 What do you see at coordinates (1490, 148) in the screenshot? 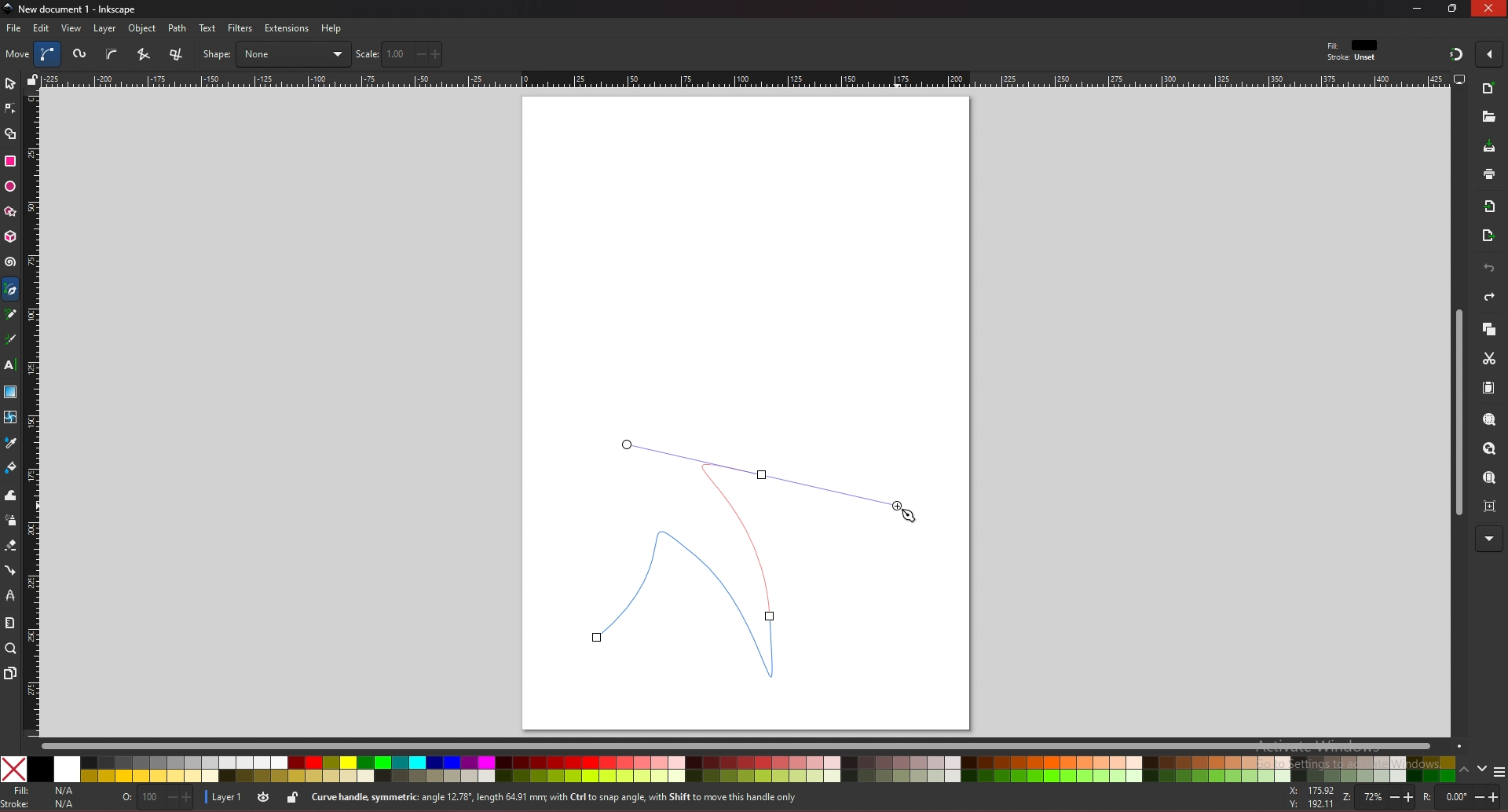
I see `save` at bounding box center [1490, 148].